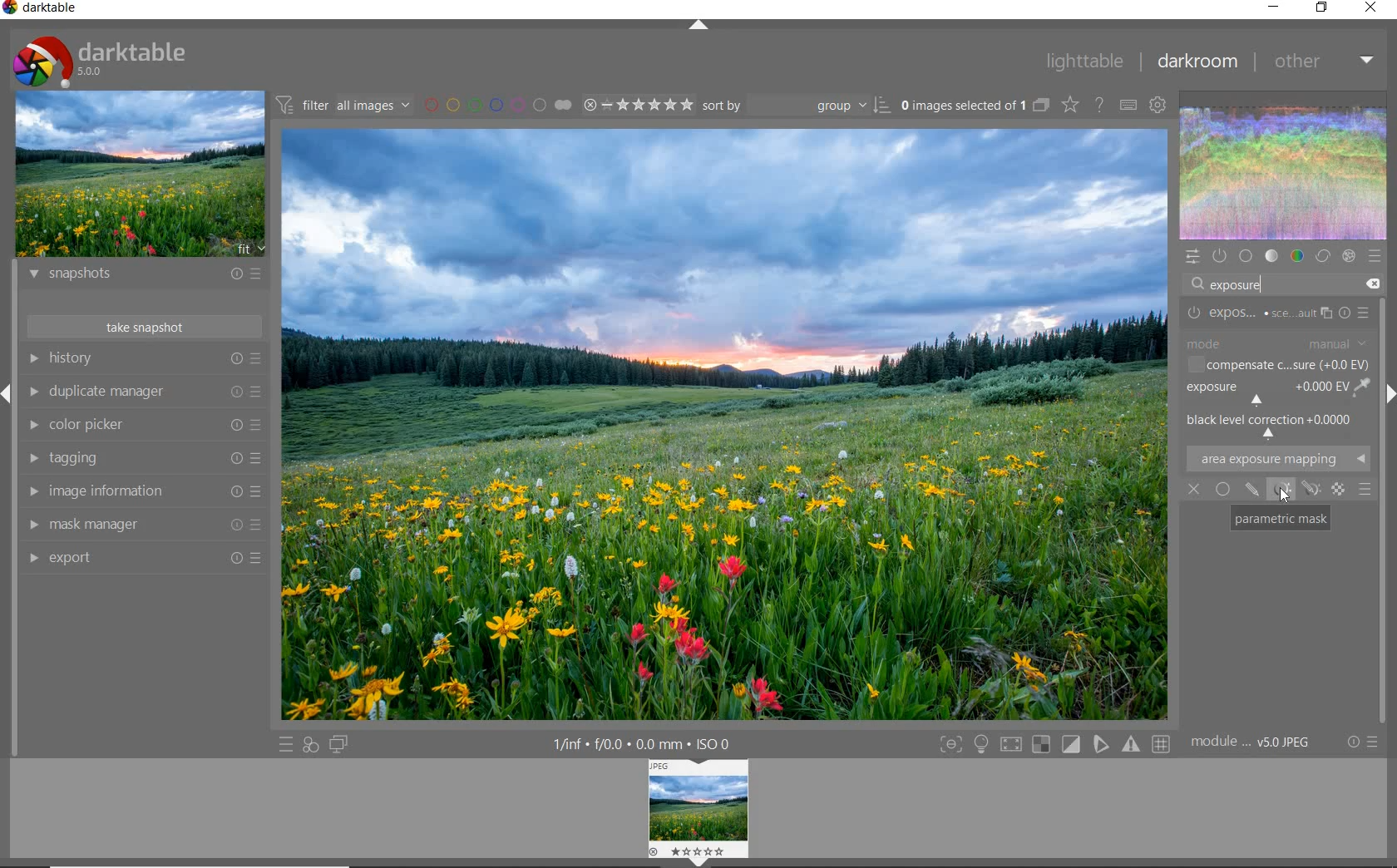 Image resolution: width=1397 pixels, height=868 pixels. I want to click on tagging, so click(141, 457).